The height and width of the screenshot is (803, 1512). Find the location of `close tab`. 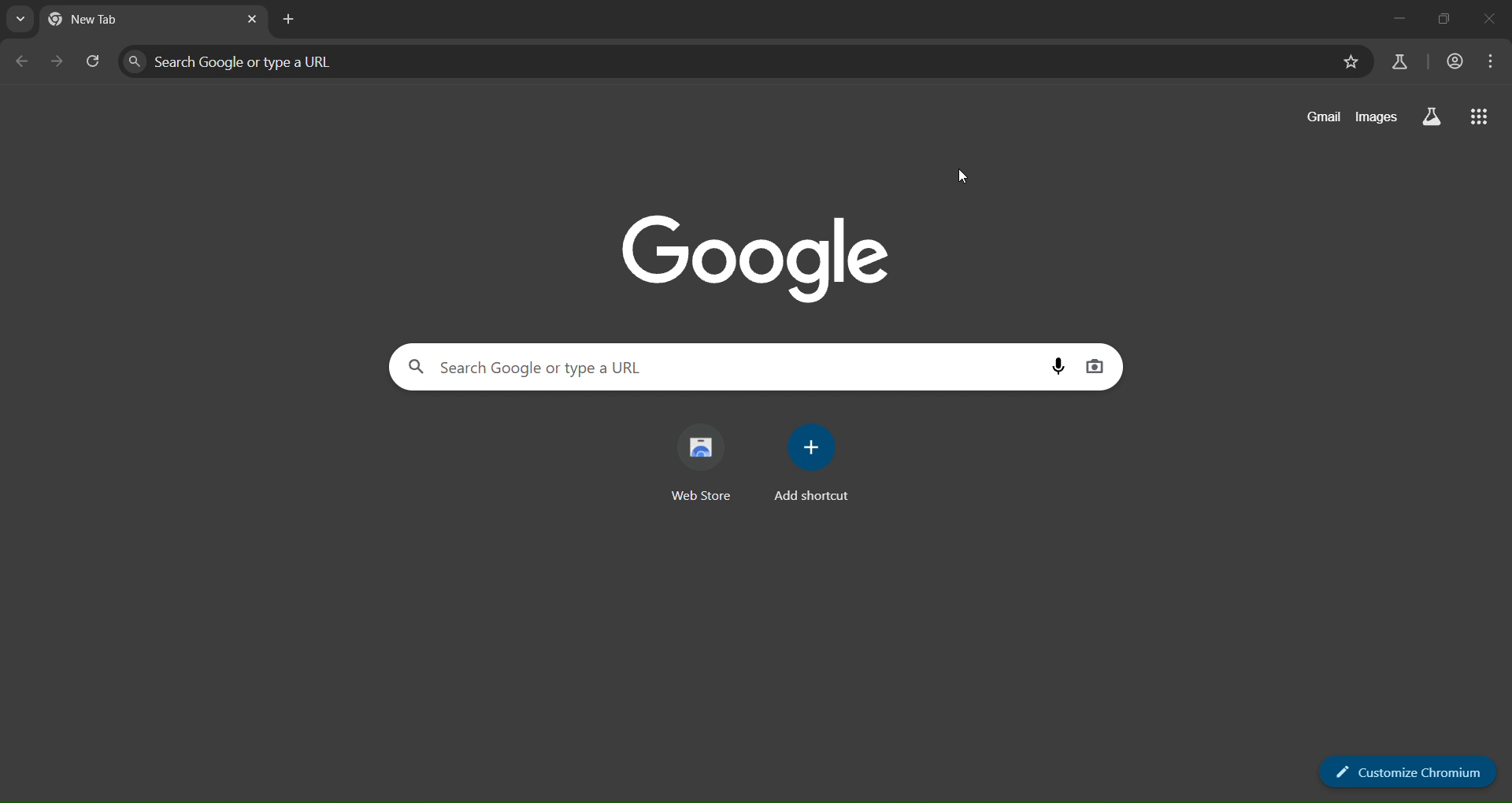

close tab is located at coordinates (252, 21).